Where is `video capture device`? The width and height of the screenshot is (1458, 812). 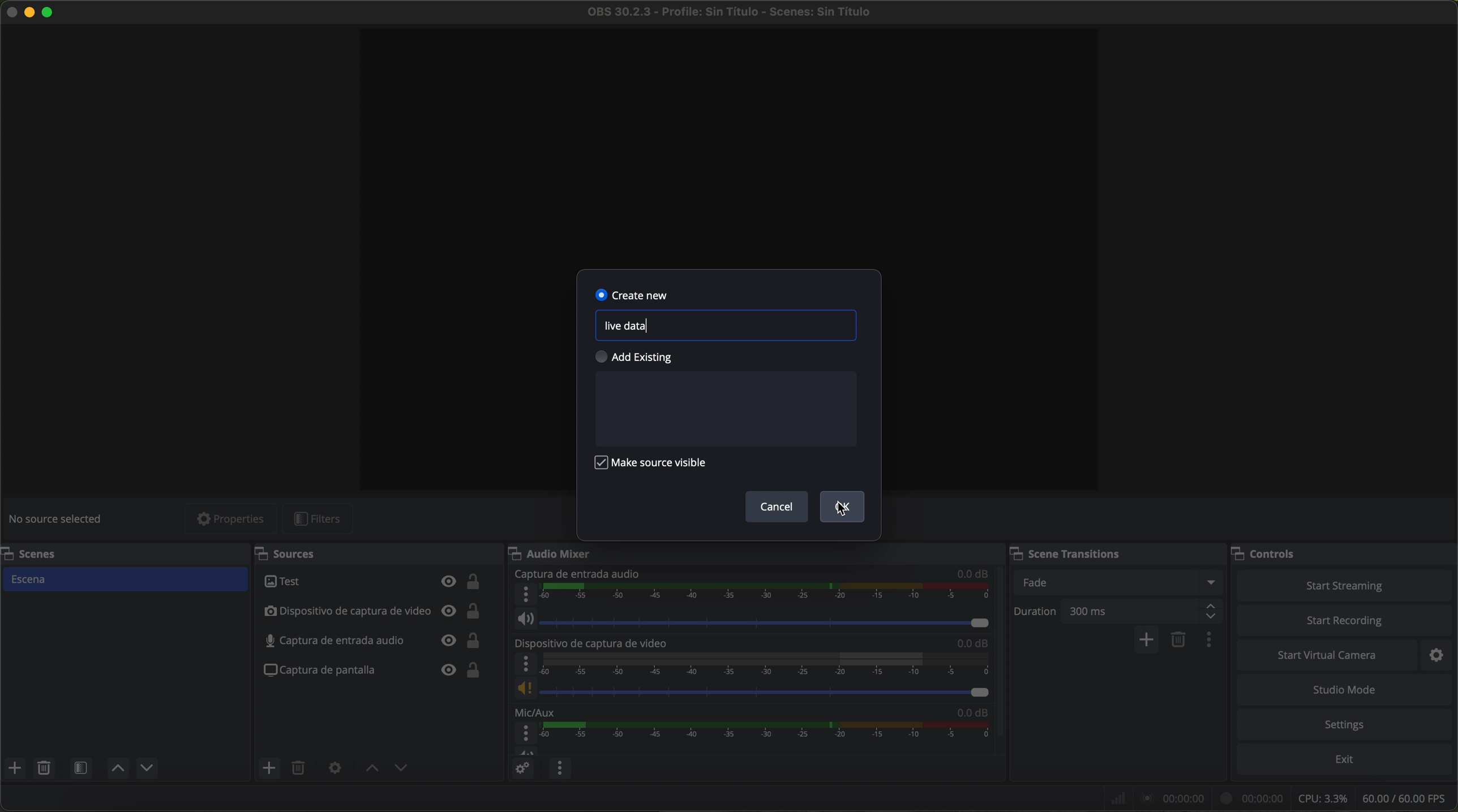 video capture device is located at coordinates (375, 612).